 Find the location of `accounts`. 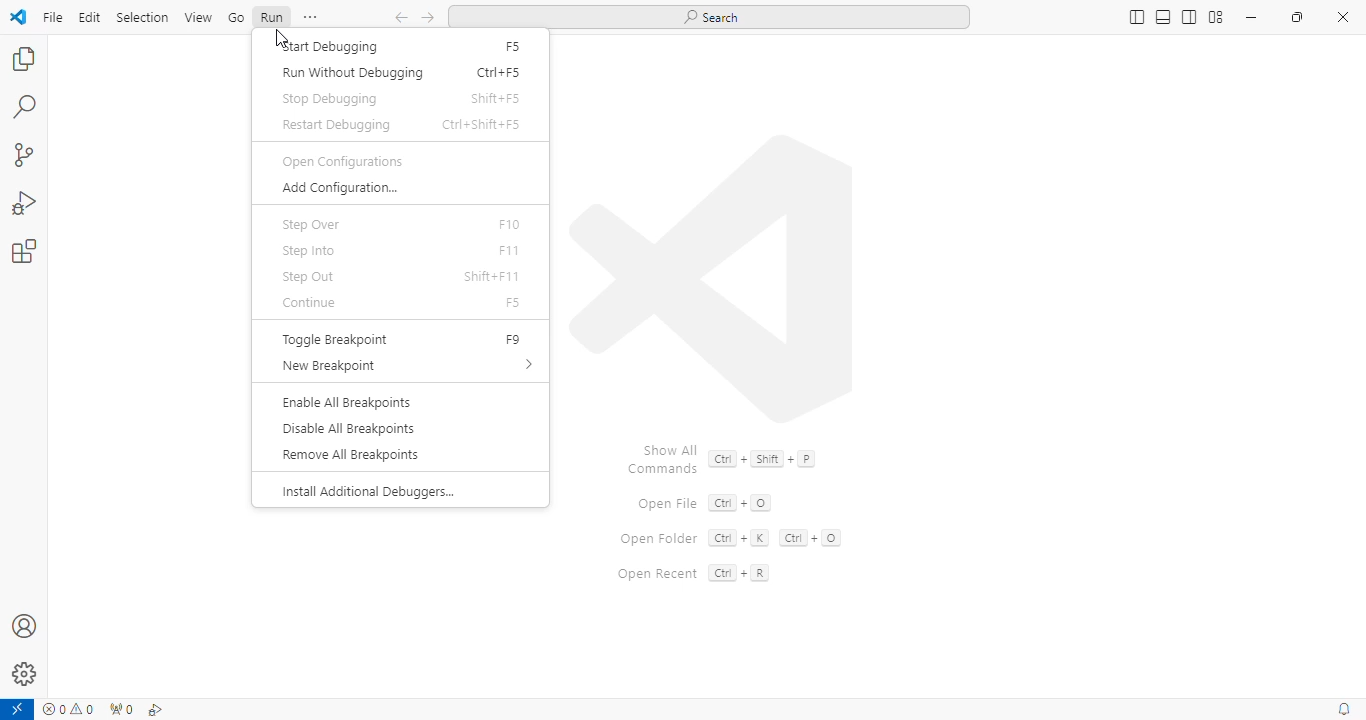

accounts is located at coordinates (25, 625).